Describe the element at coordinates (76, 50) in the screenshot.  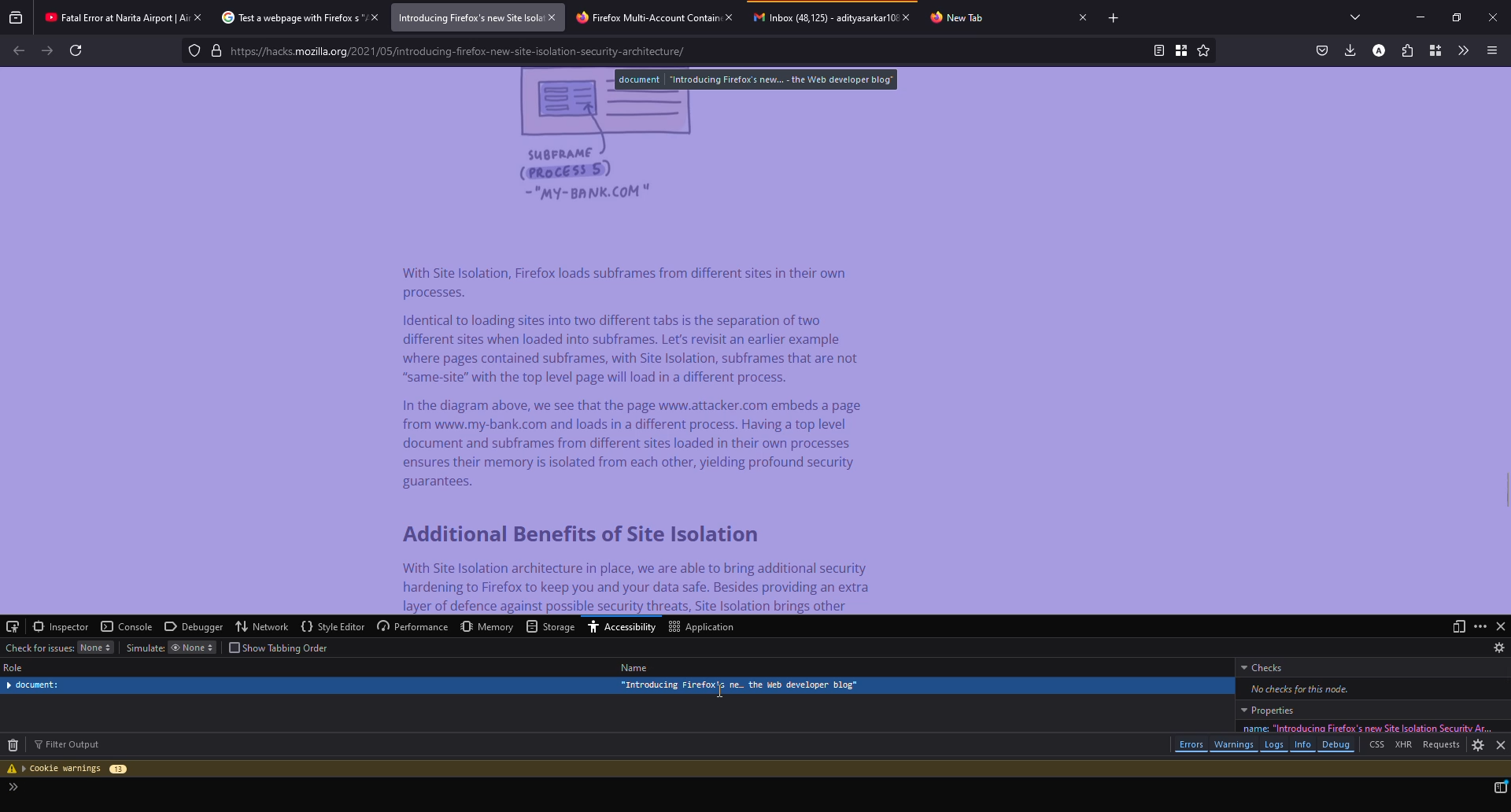
I see `refresh` at that location.